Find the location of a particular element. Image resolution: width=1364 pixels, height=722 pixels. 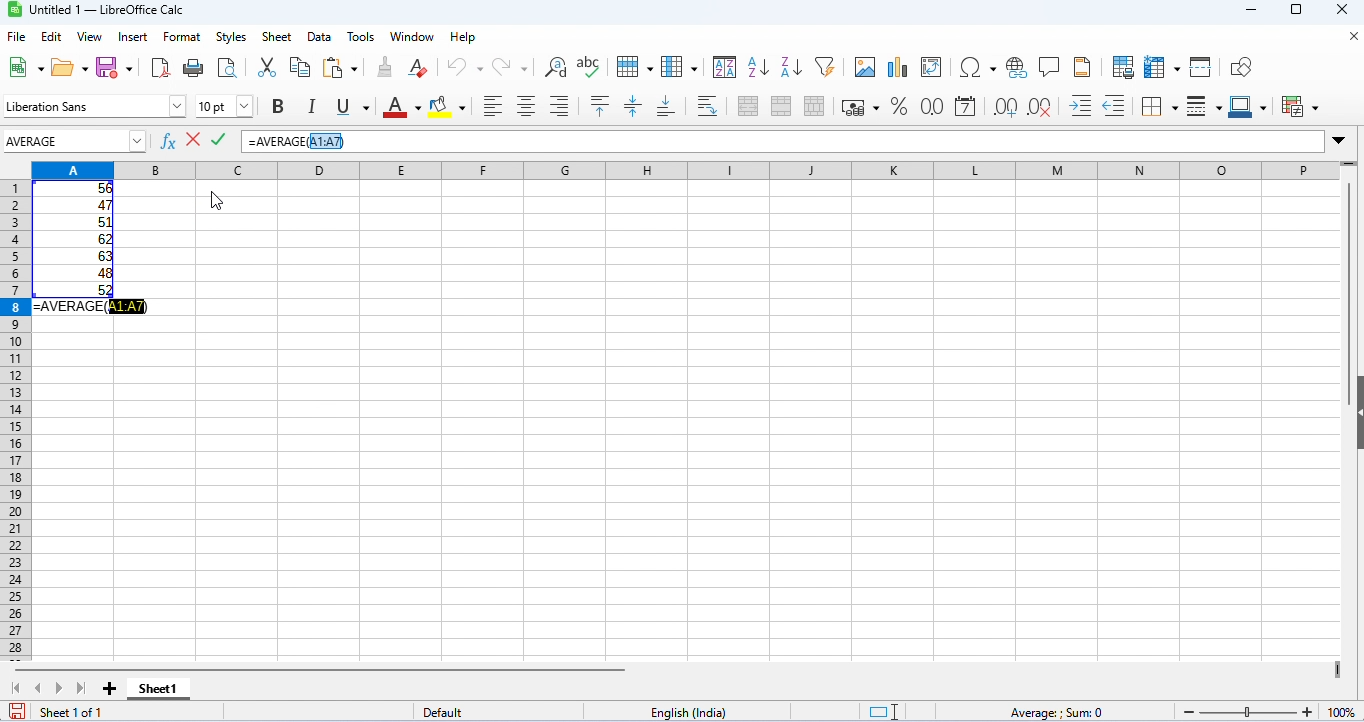

previous sheet is located at coordinates (39, 687).